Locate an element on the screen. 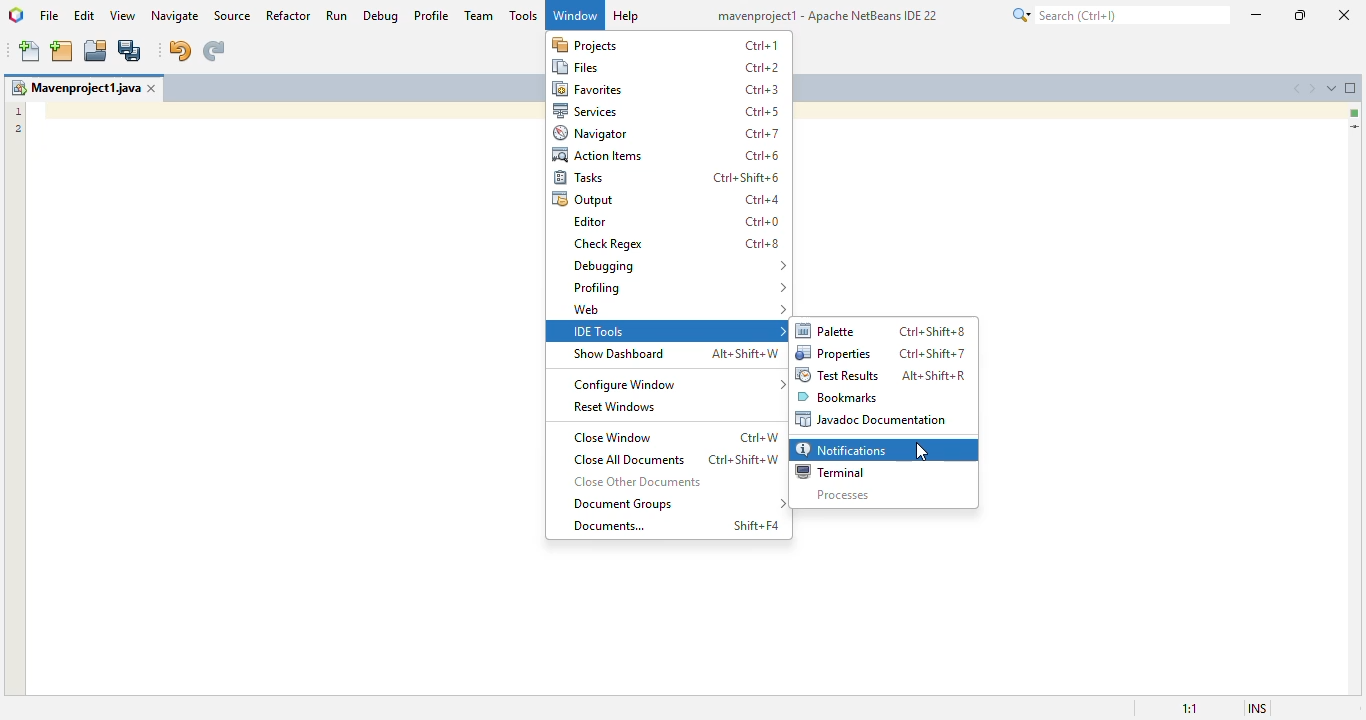  output is located at coordinates (583, 199).